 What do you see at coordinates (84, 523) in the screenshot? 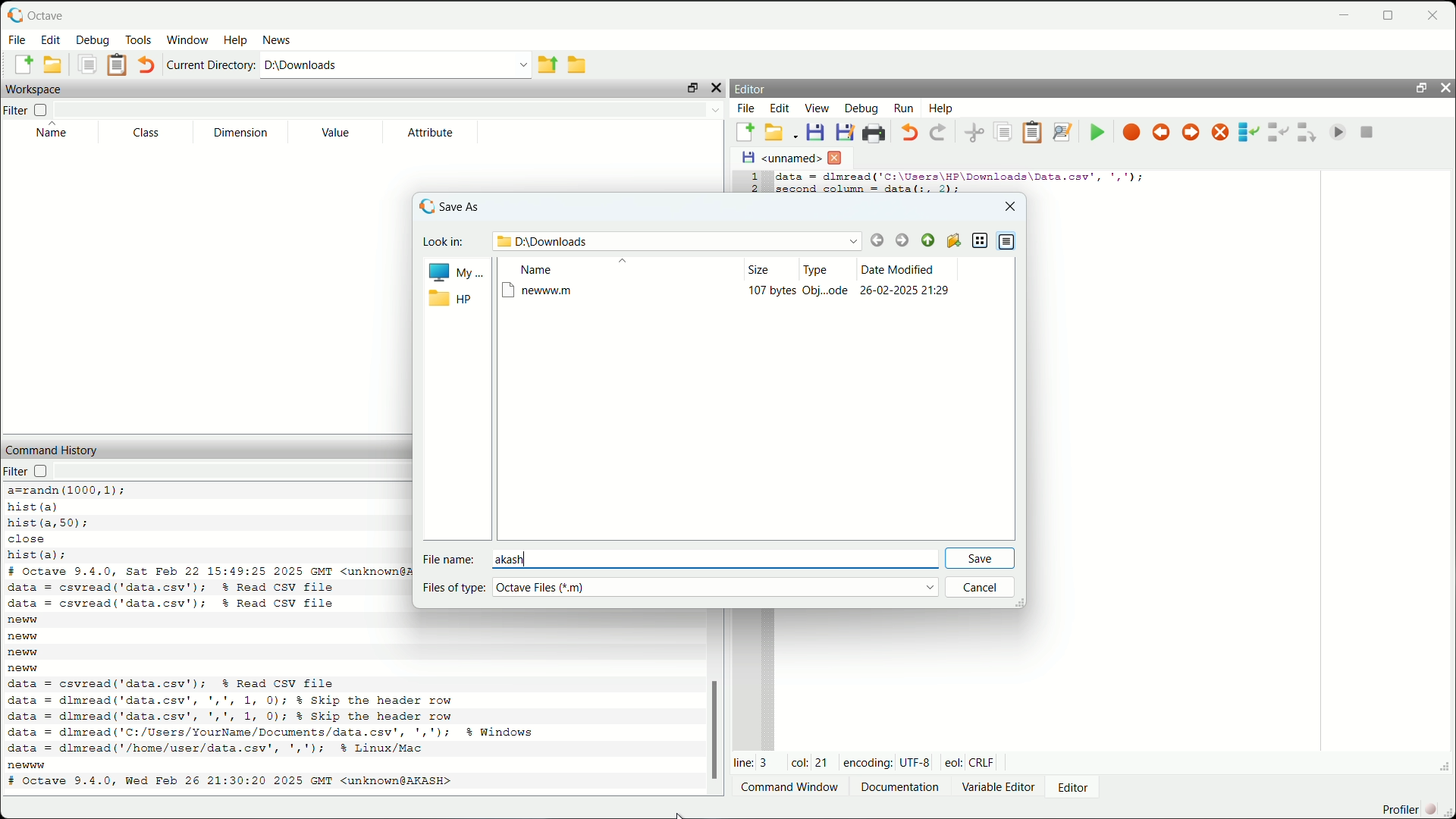
I see `code` at bounding box center [84, 523].